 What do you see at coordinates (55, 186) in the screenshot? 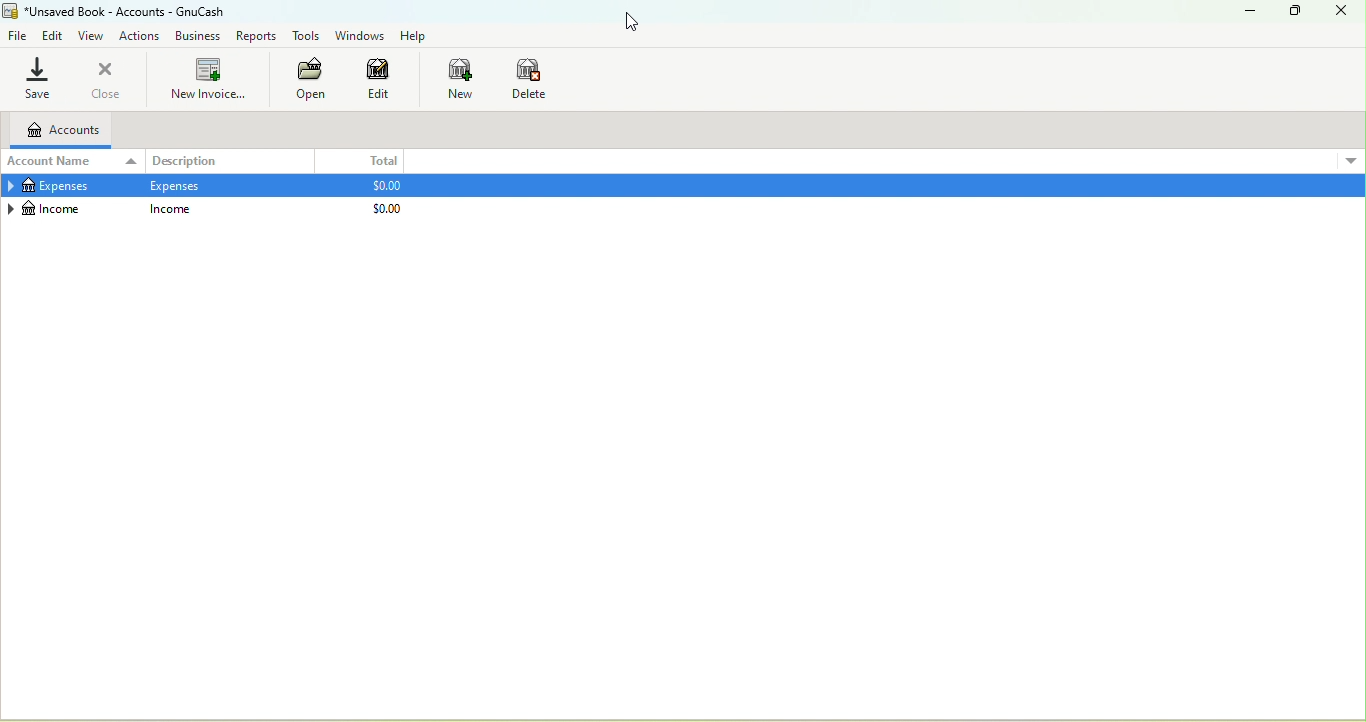
I see `Expenses` at bounding box center [55, 186].